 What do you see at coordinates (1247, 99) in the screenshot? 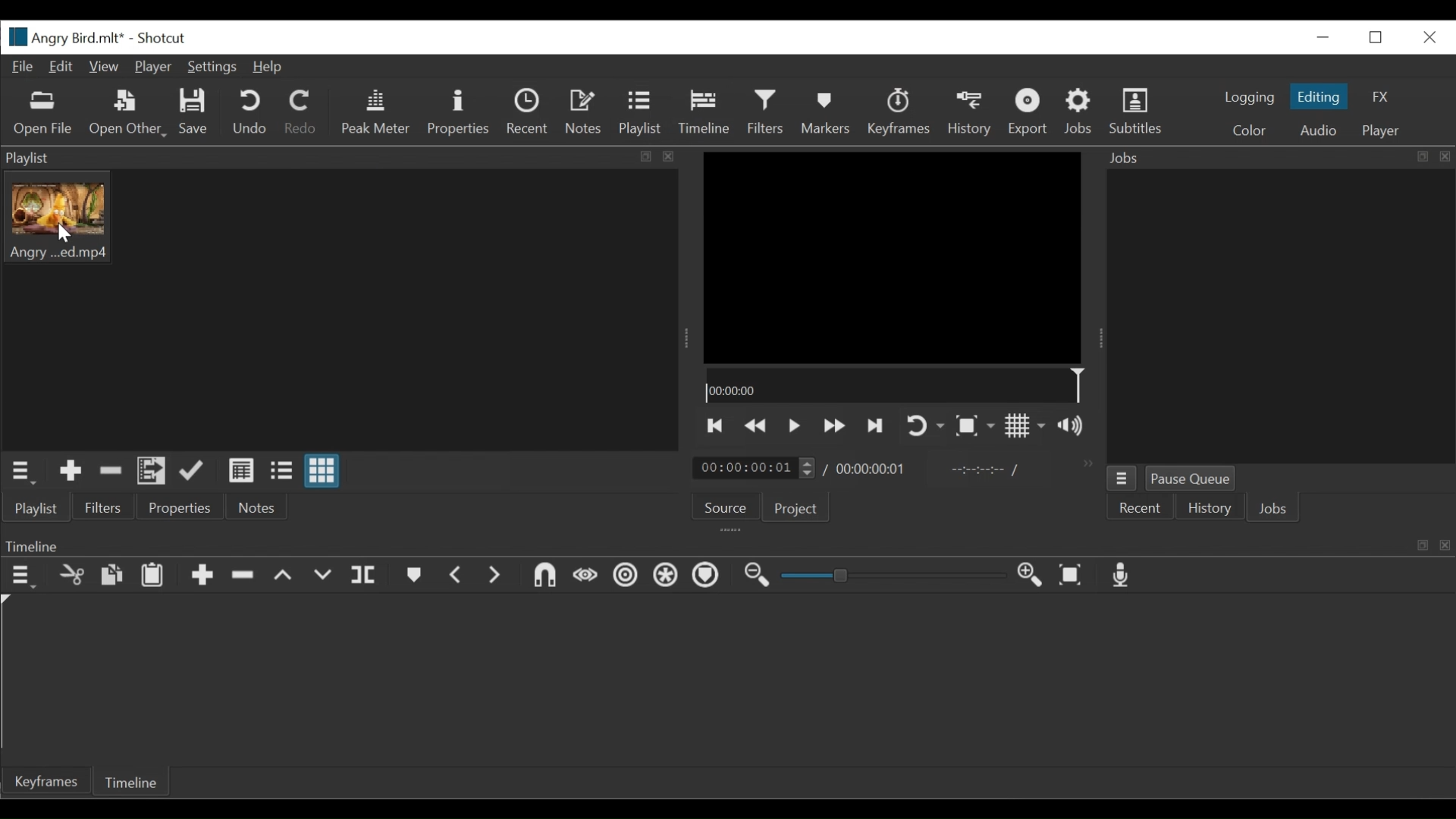
I see `logging` at bounding box center [1247, 99].